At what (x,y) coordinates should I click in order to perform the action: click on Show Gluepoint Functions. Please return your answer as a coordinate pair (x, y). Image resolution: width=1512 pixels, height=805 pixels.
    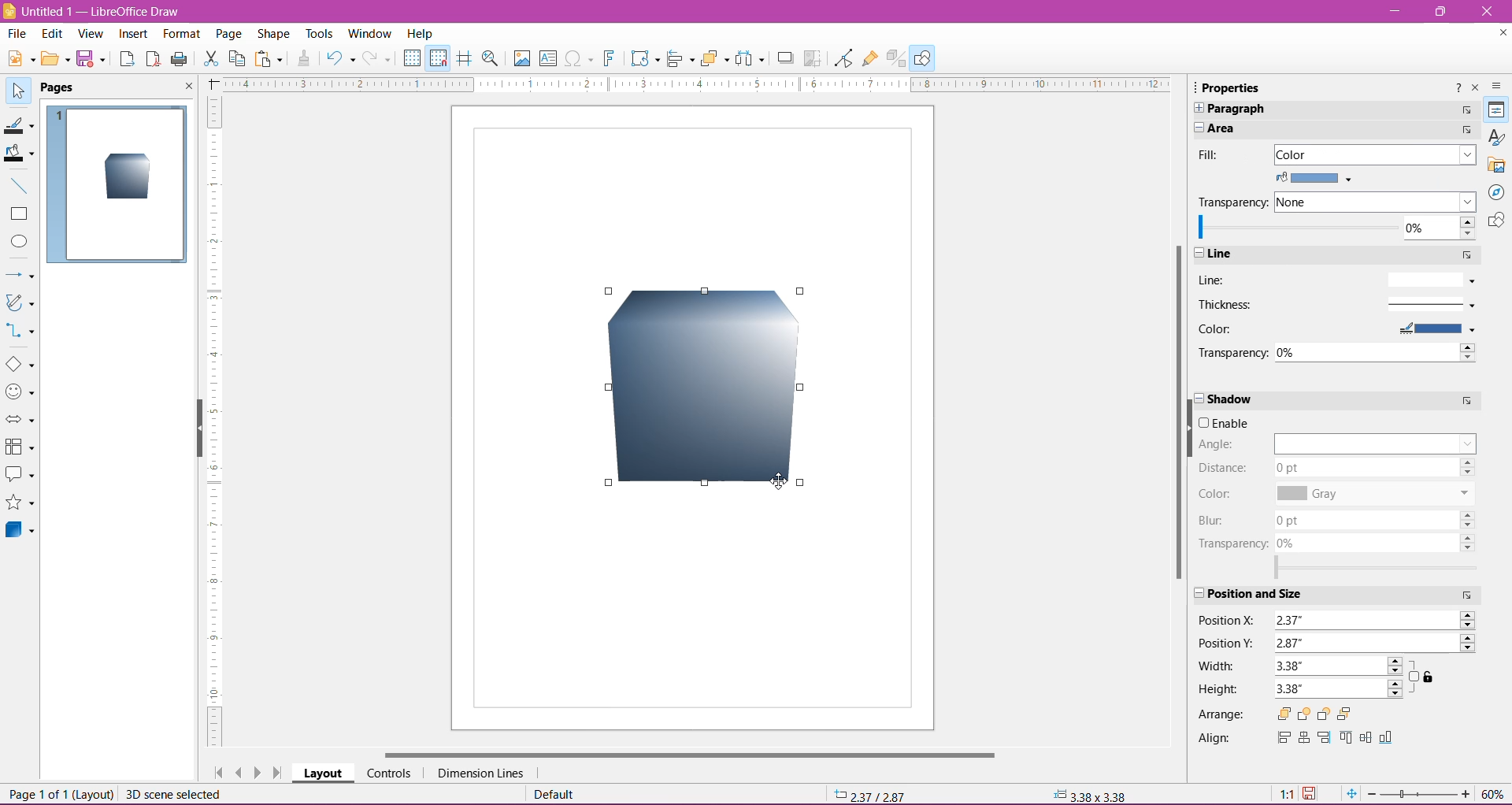
    Looking at the image, I should click on (871, 59).